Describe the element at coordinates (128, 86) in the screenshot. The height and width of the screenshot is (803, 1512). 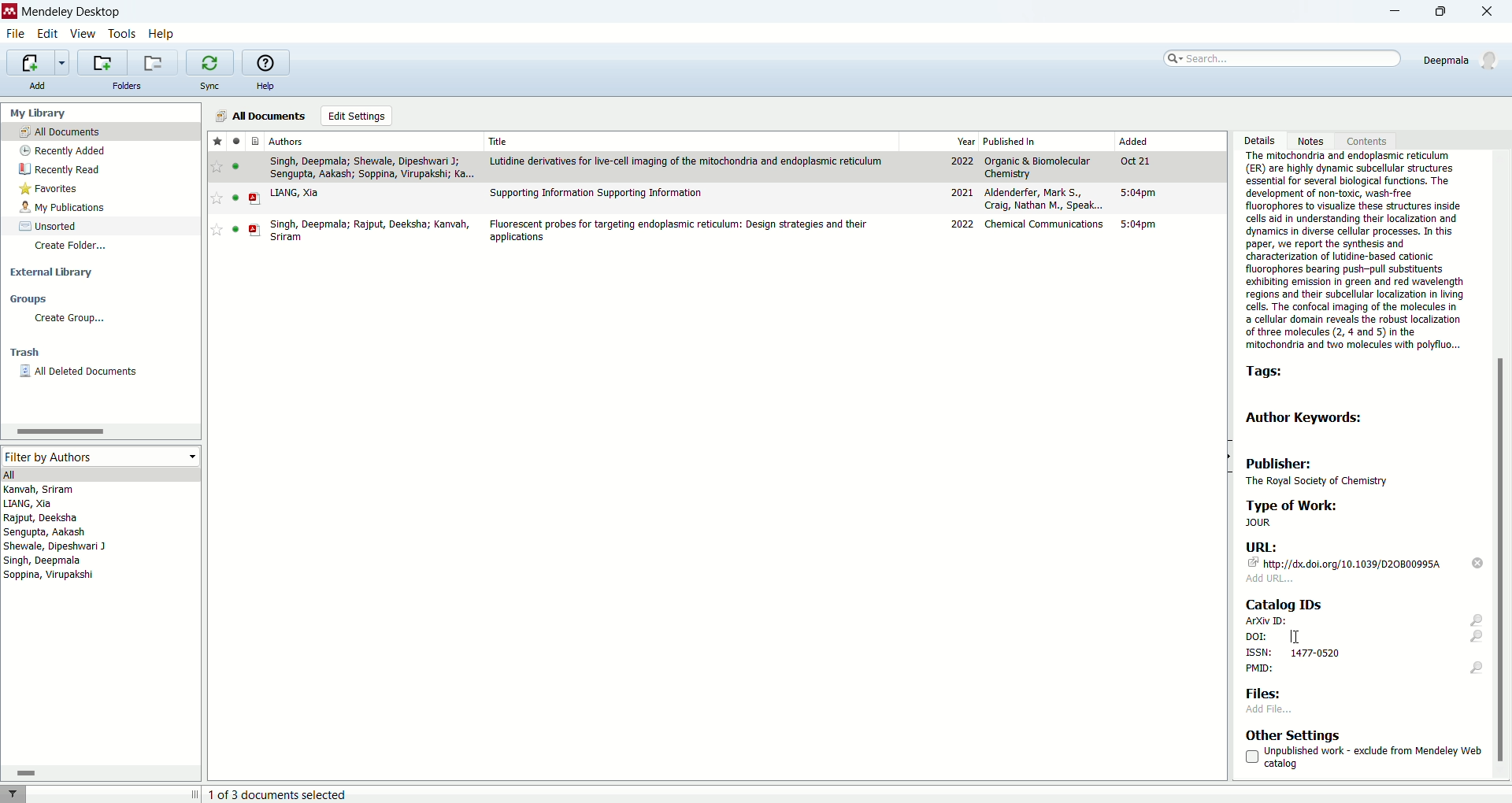
I see `folders` at that location.